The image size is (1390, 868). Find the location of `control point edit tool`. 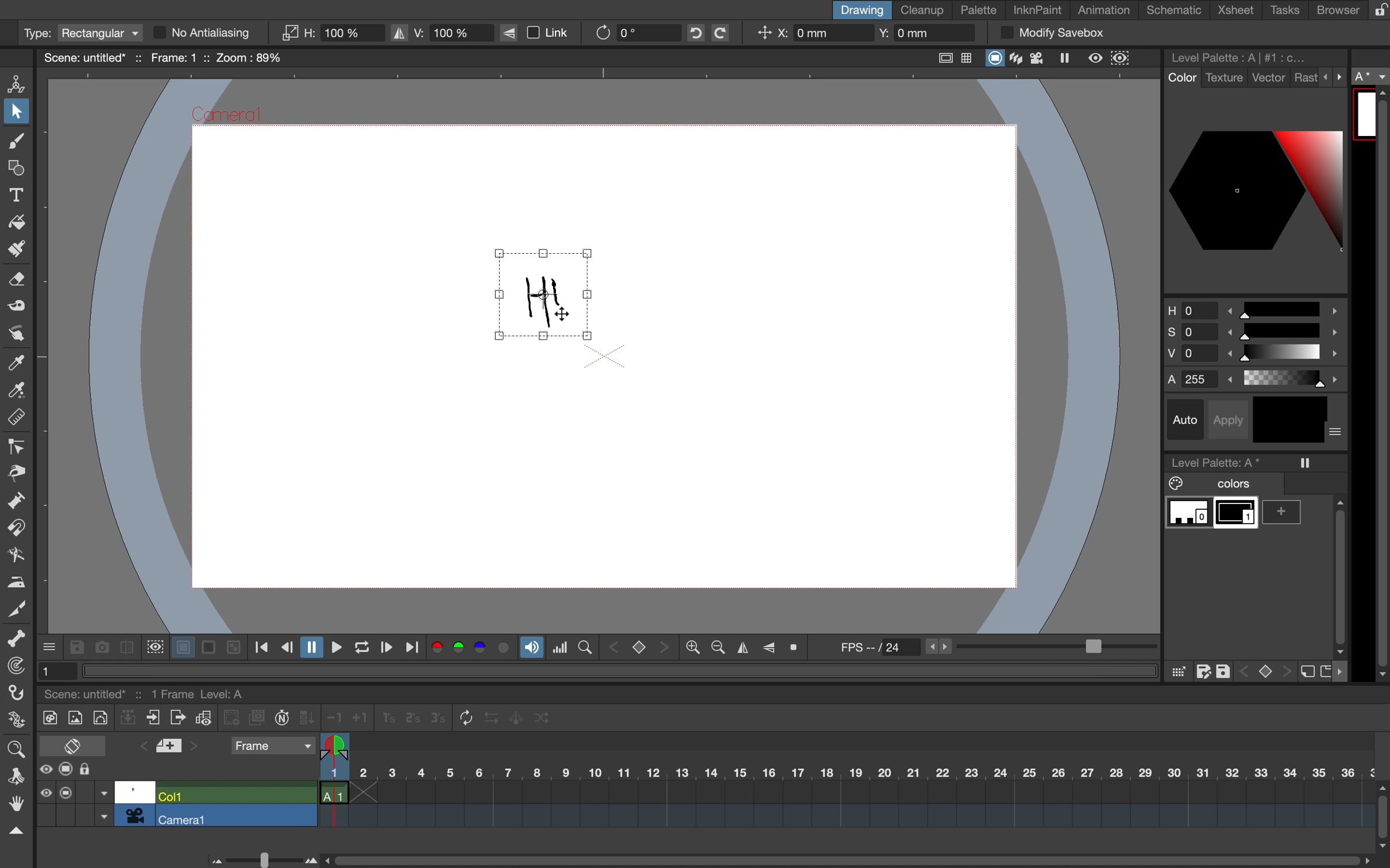

control point edit tool is located at coordinates (17, 447).